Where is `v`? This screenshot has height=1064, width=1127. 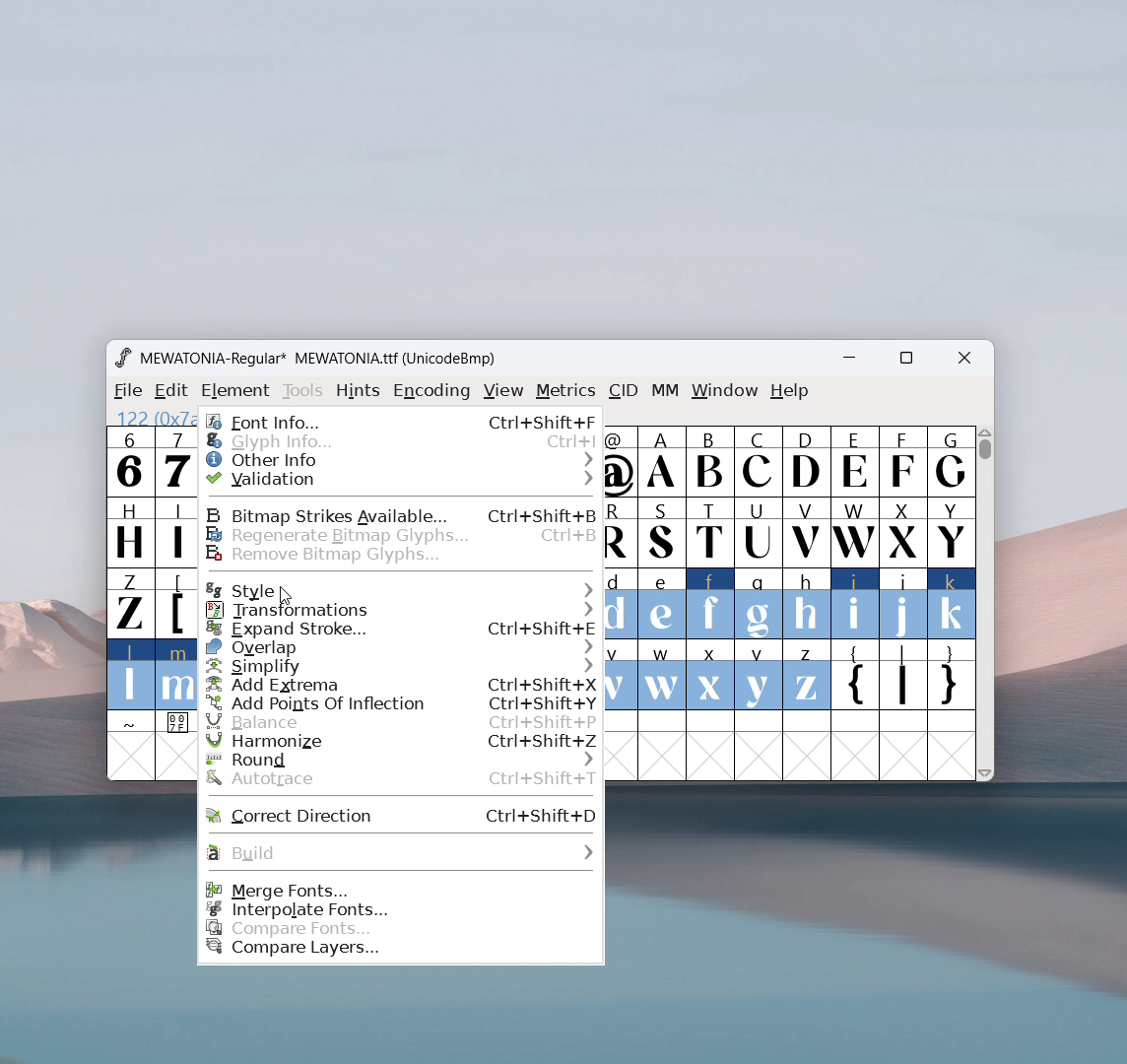
v is located at coordinates (622, 674).